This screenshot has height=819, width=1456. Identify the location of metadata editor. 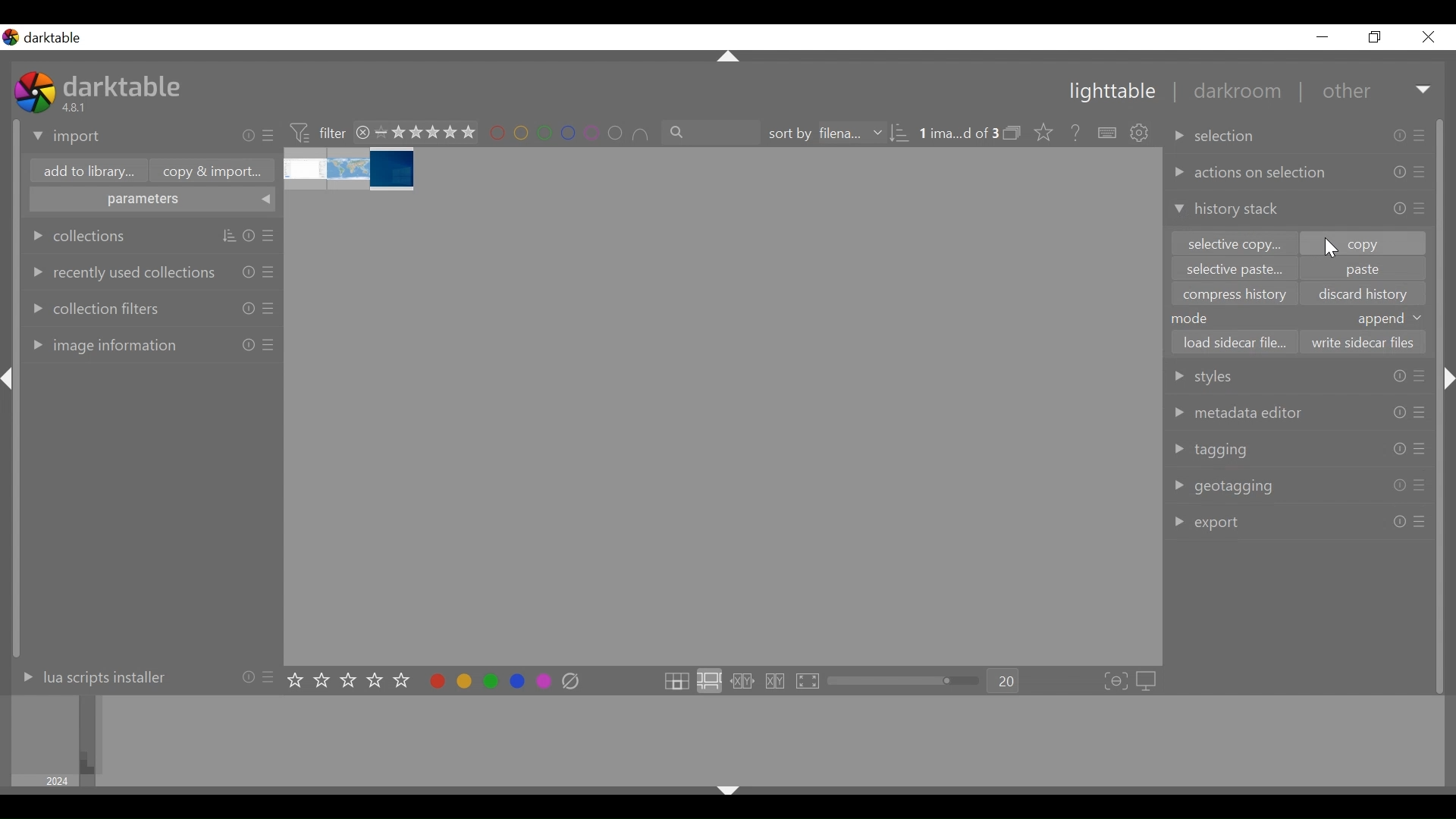
(1238, 413).